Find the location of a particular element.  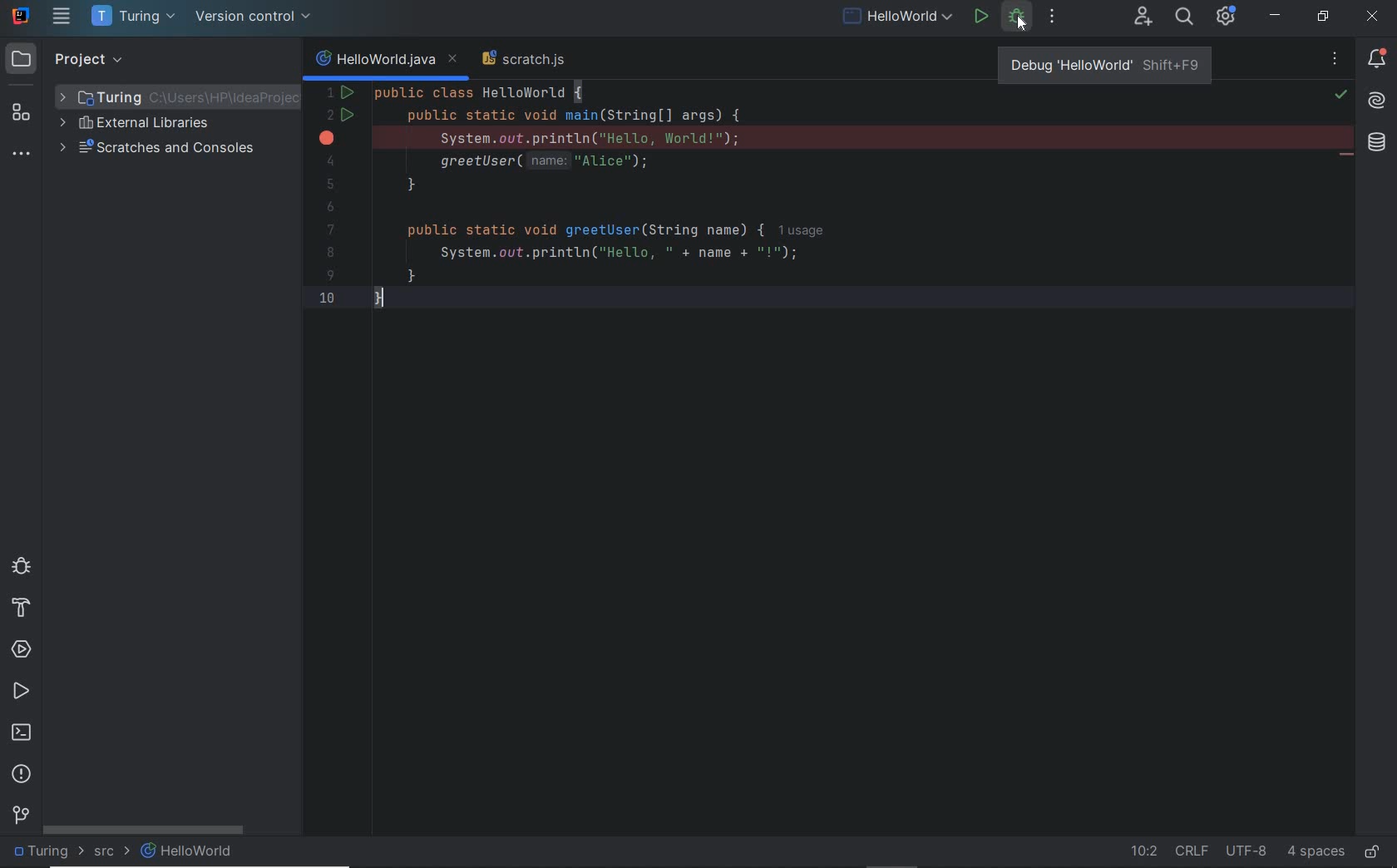

make file ready only is located at coordinates (1370, 853).